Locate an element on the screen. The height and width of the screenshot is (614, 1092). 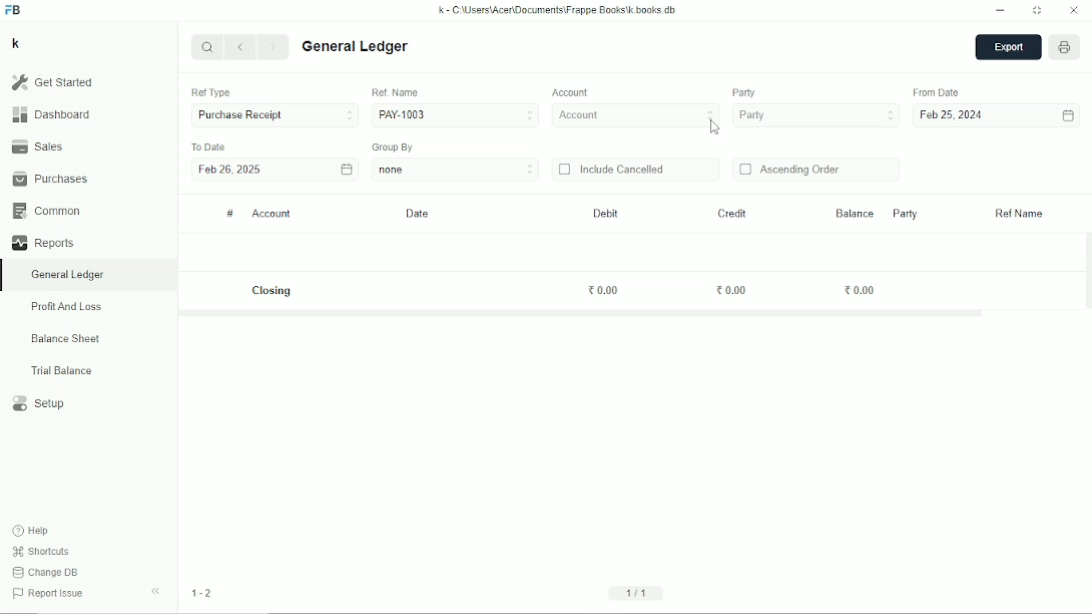
Balance is located at coordinates (854, 212).